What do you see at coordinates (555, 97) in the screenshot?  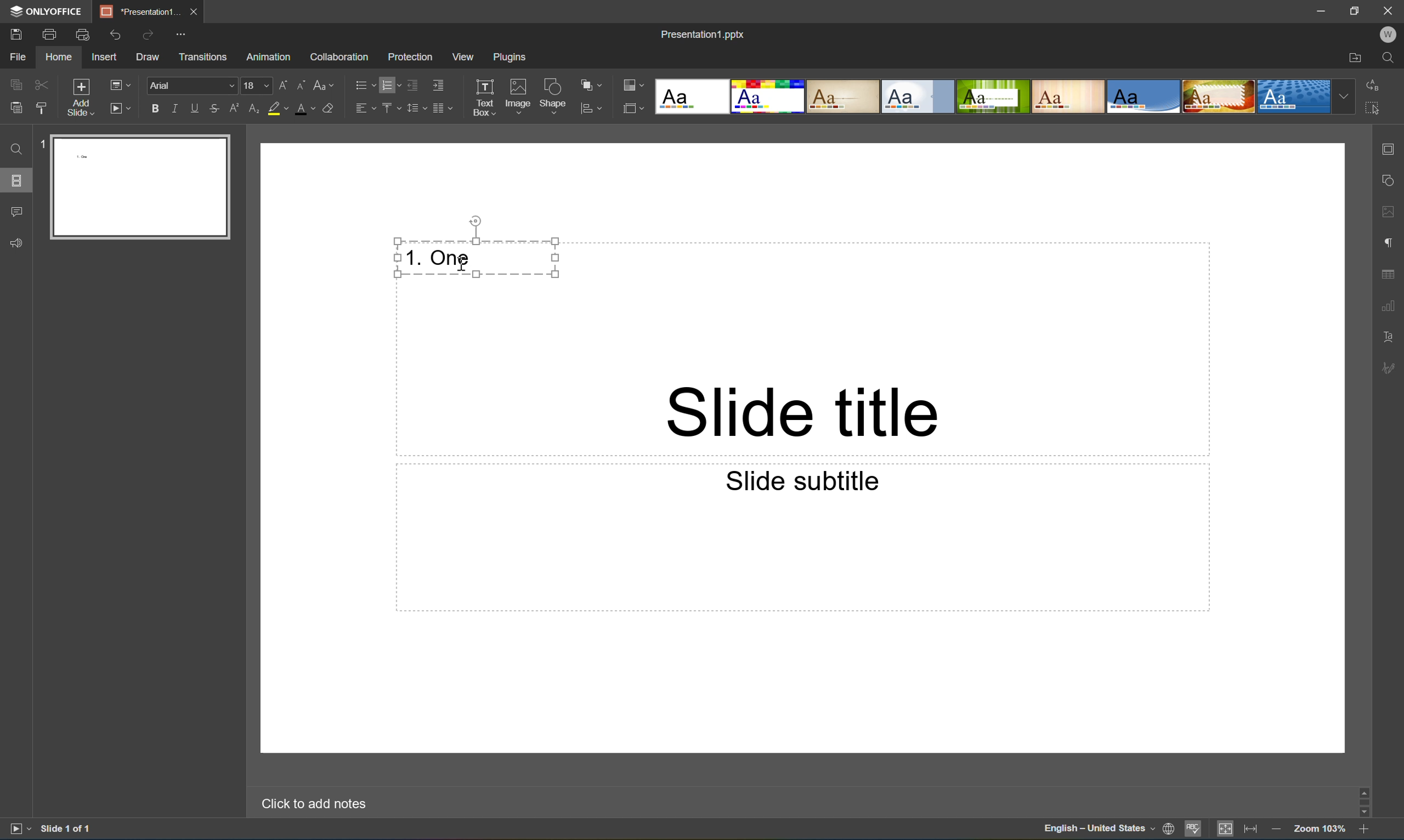 I see `Shape` at bounding box center [555, 97].